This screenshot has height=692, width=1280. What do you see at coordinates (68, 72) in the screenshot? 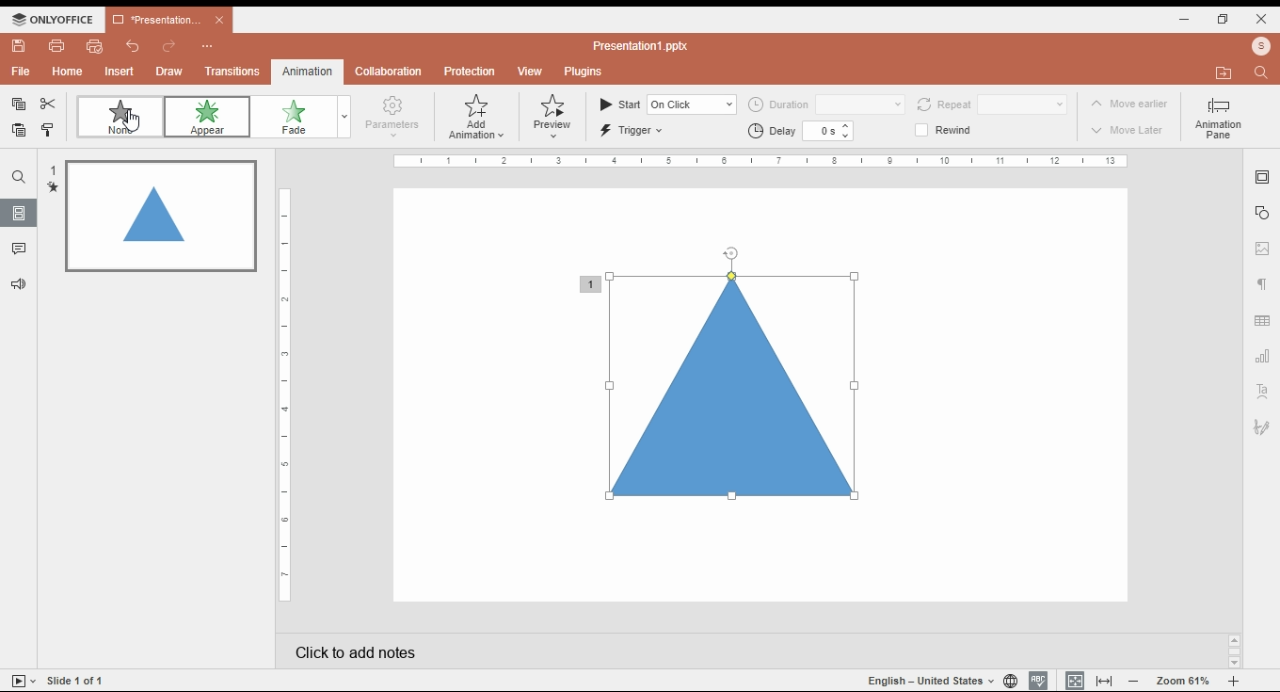
I see `home` at bounding box center [68, 72].